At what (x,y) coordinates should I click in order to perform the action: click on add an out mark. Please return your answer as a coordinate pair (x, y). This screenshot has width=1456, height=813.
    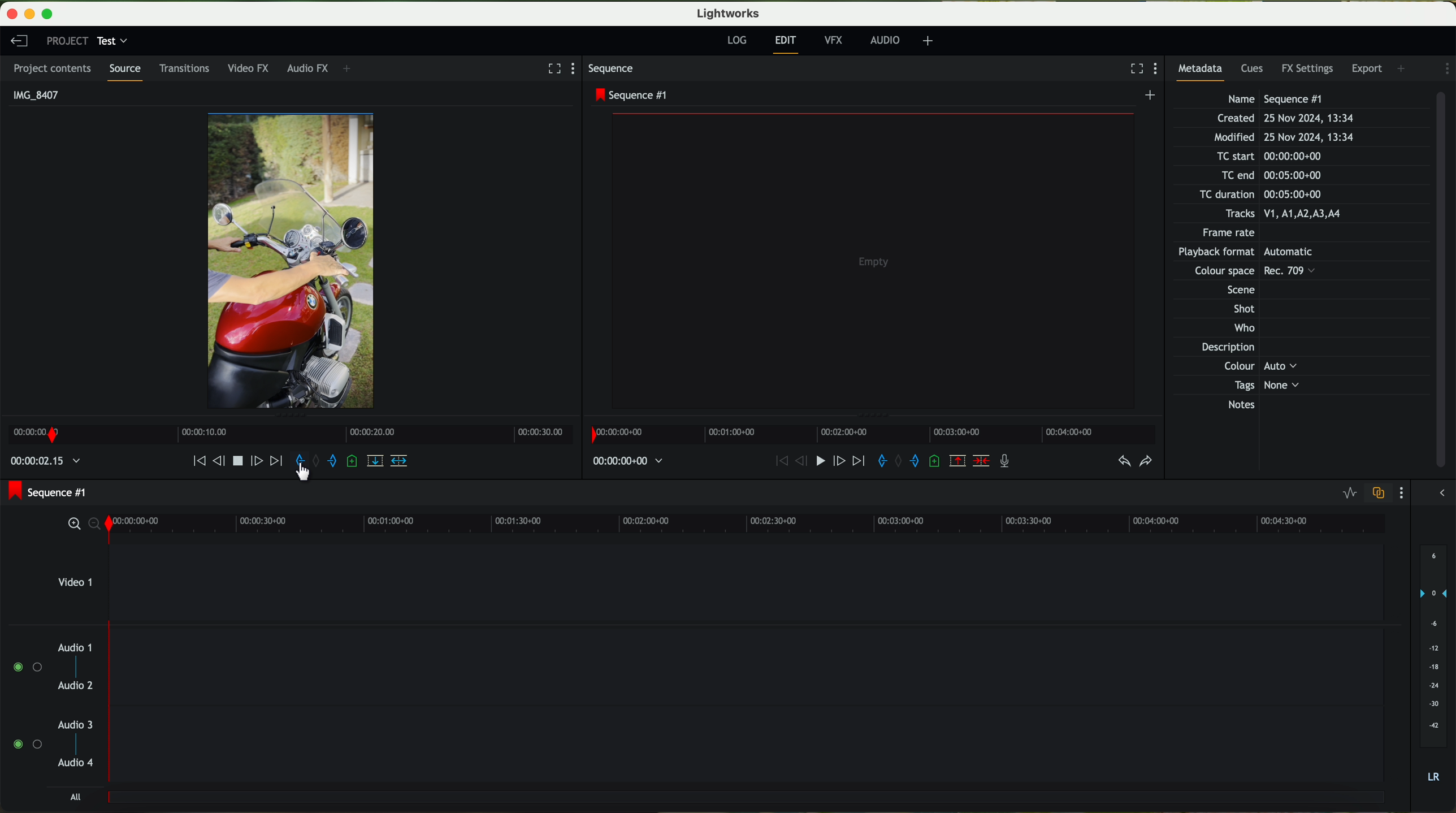
    Looking at the image, I should click on (909, 461).